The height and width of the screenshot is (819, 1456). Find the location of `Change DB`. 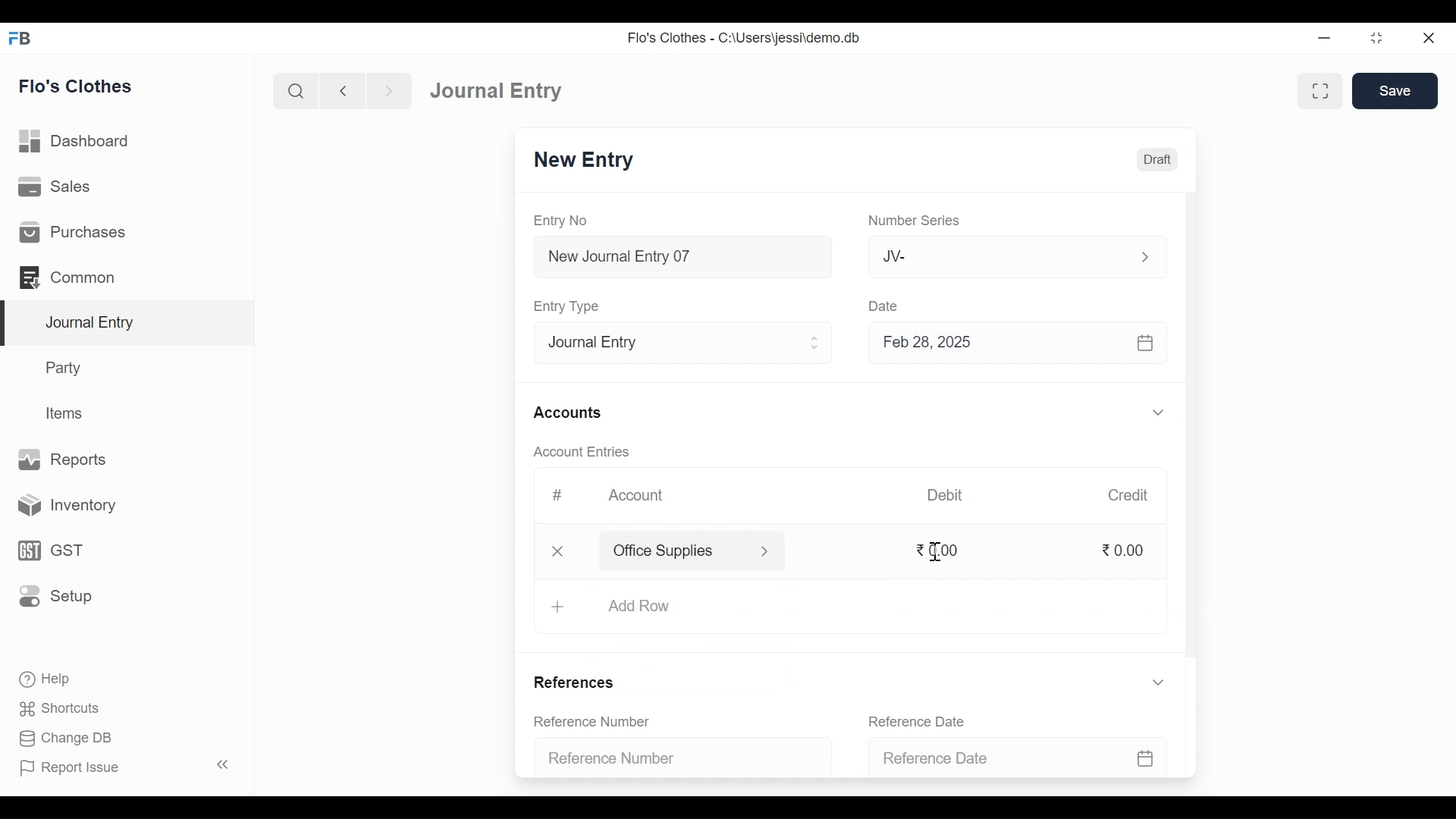

Change DB is located at coordinates (64, 736).